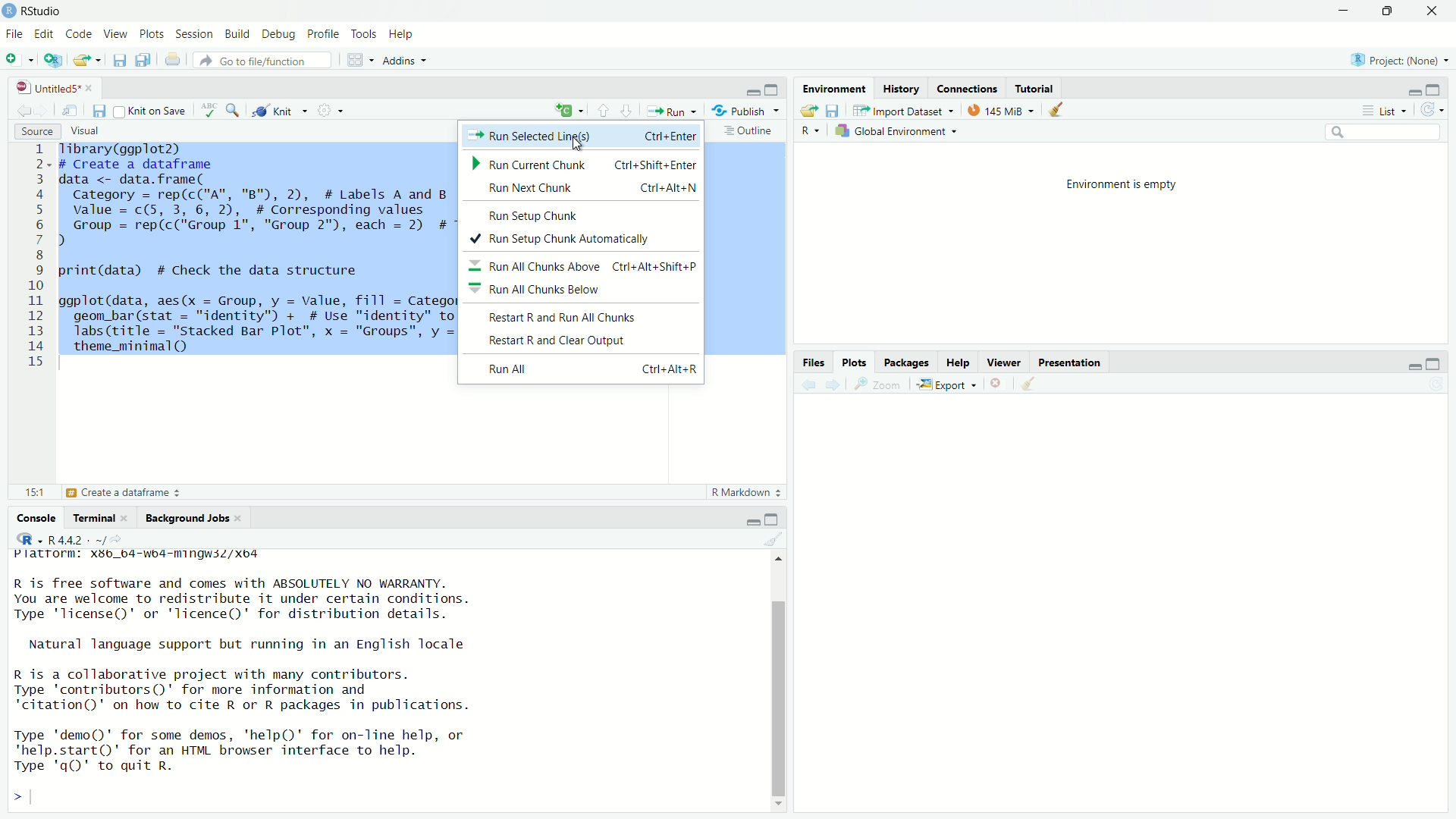  Describe the element at coordinates (896, 130) in the screenshot. I see `Global Environement` at that location.